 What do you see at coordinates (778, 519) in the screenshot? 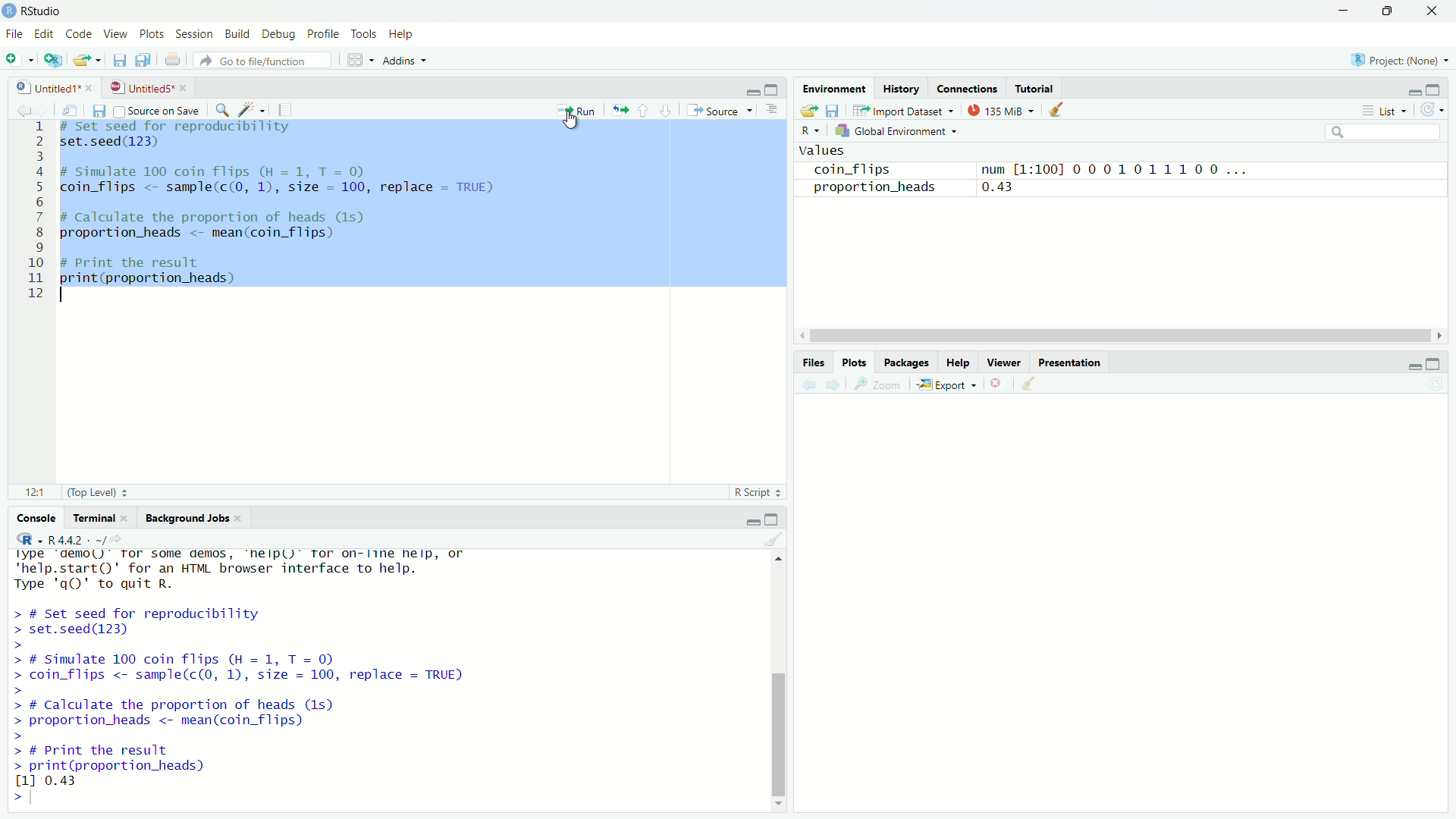
I see `maximize` at bounding box center [778, 519].